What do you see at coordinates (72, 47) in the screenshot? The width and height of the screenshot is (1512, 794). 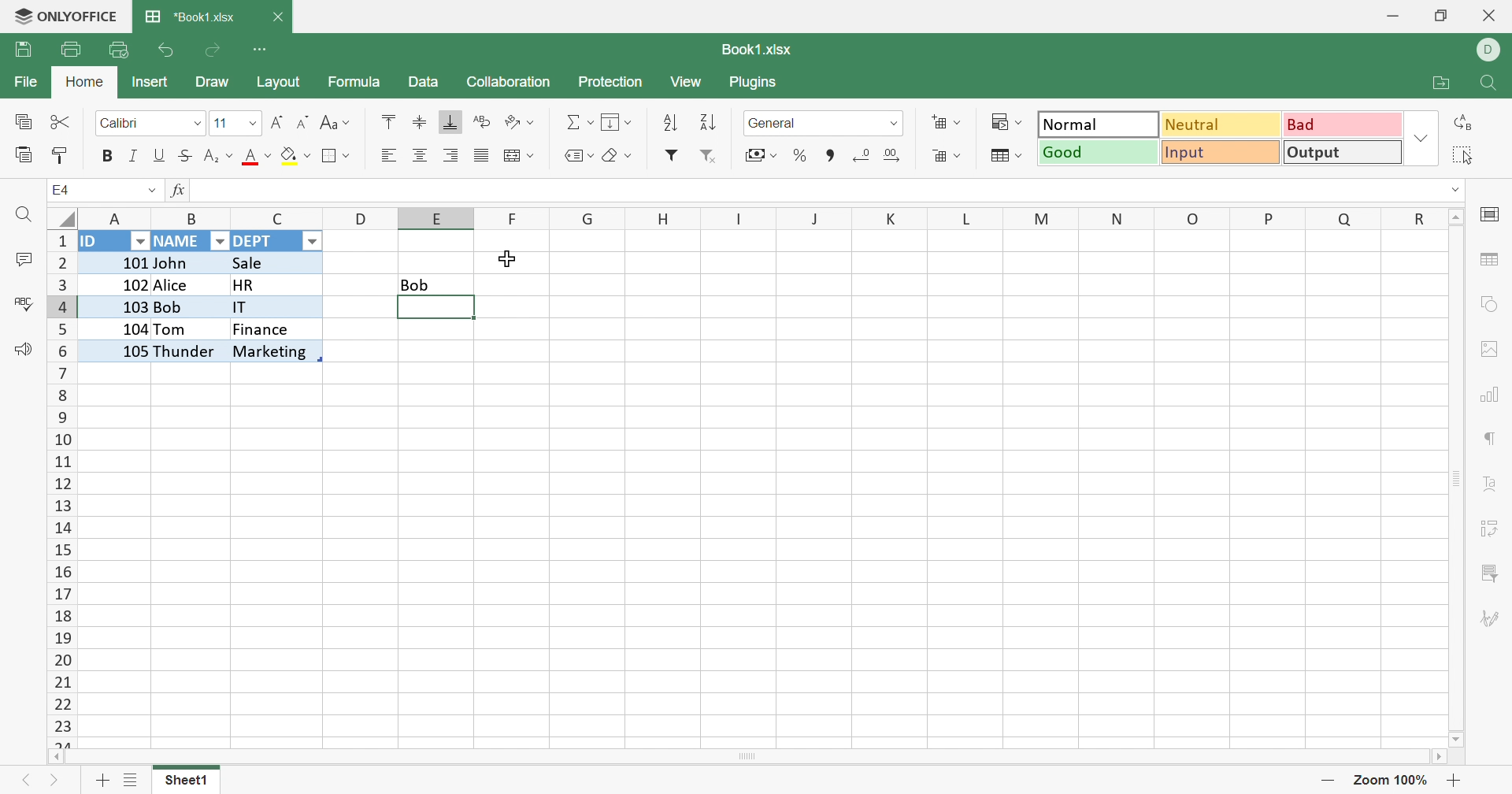 I see `Print` at bounding box center [72, 47].